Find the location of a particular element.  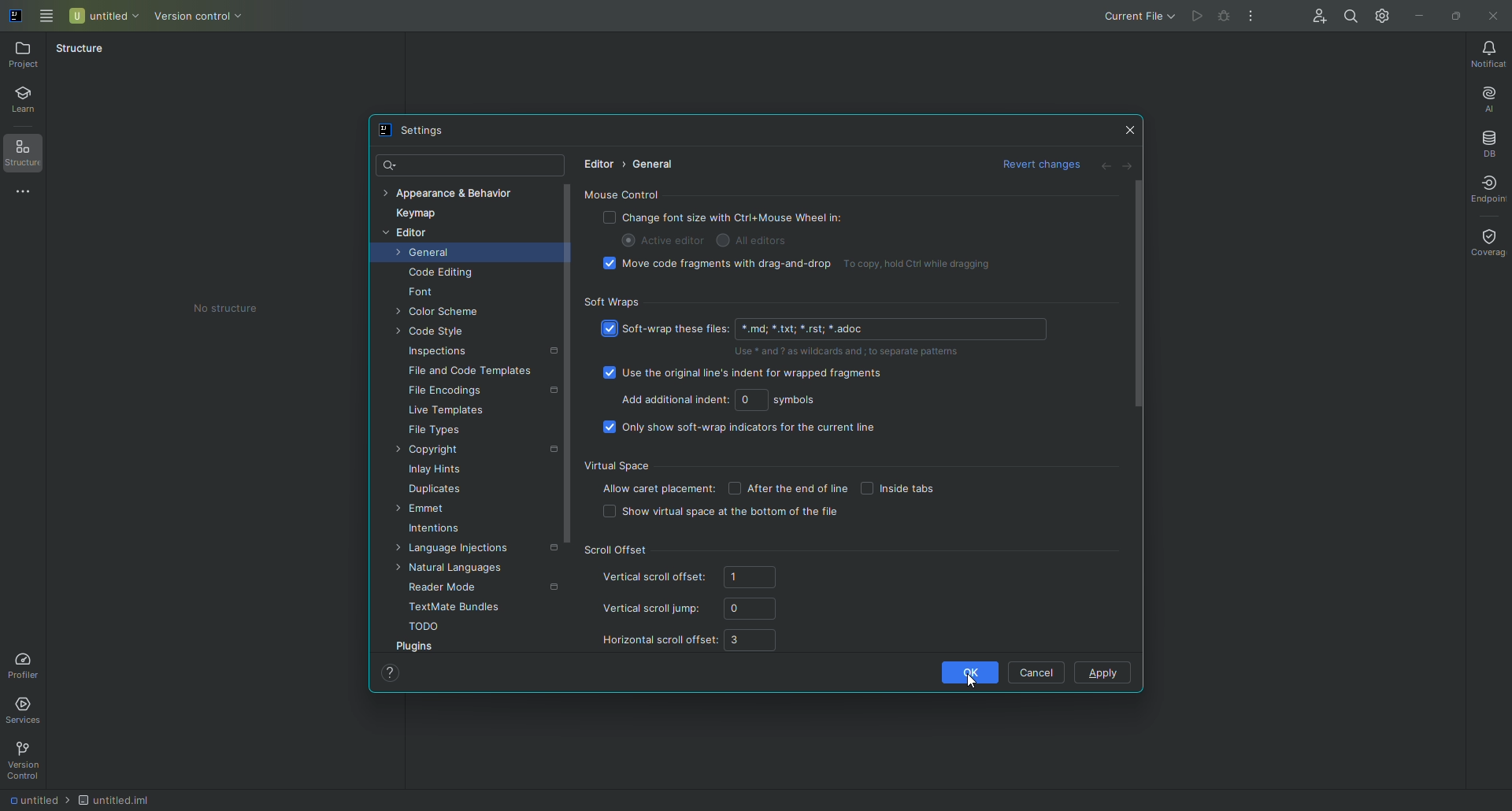

Cannot run file is located at coordinates (1226, 13).